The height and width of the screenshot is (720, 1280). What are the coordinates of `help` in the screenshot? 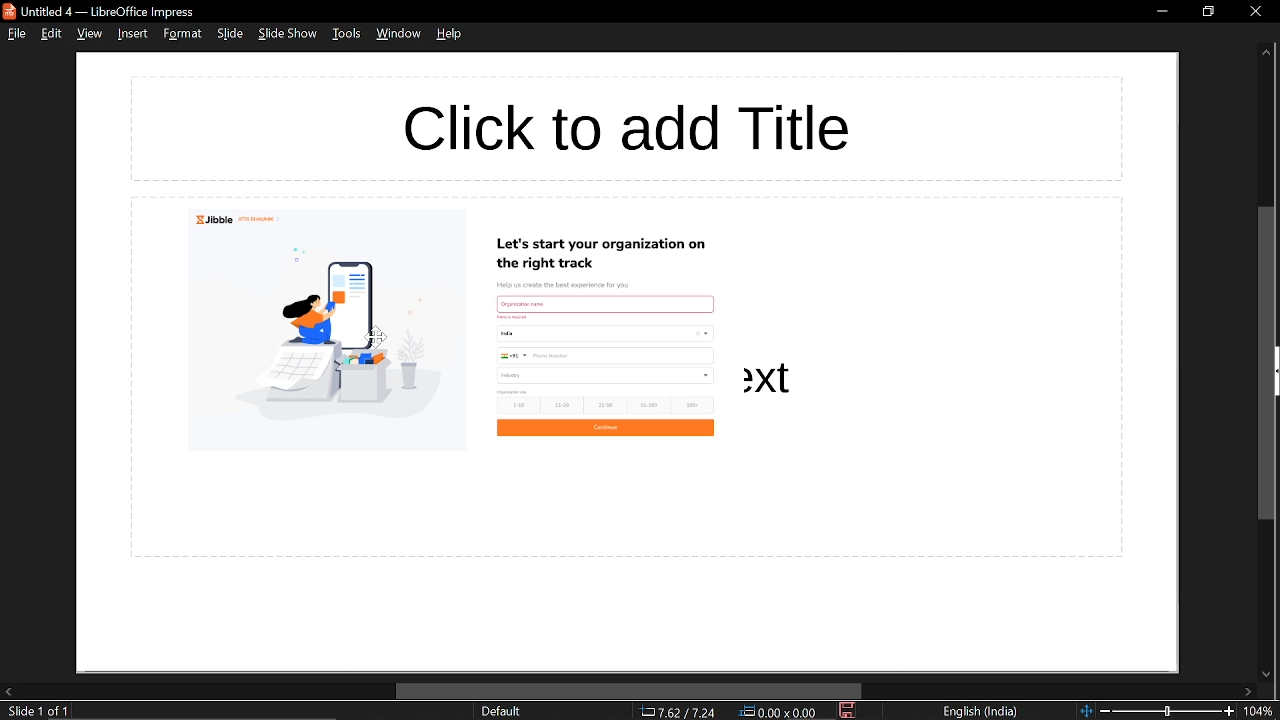 It's located at (451, 34).